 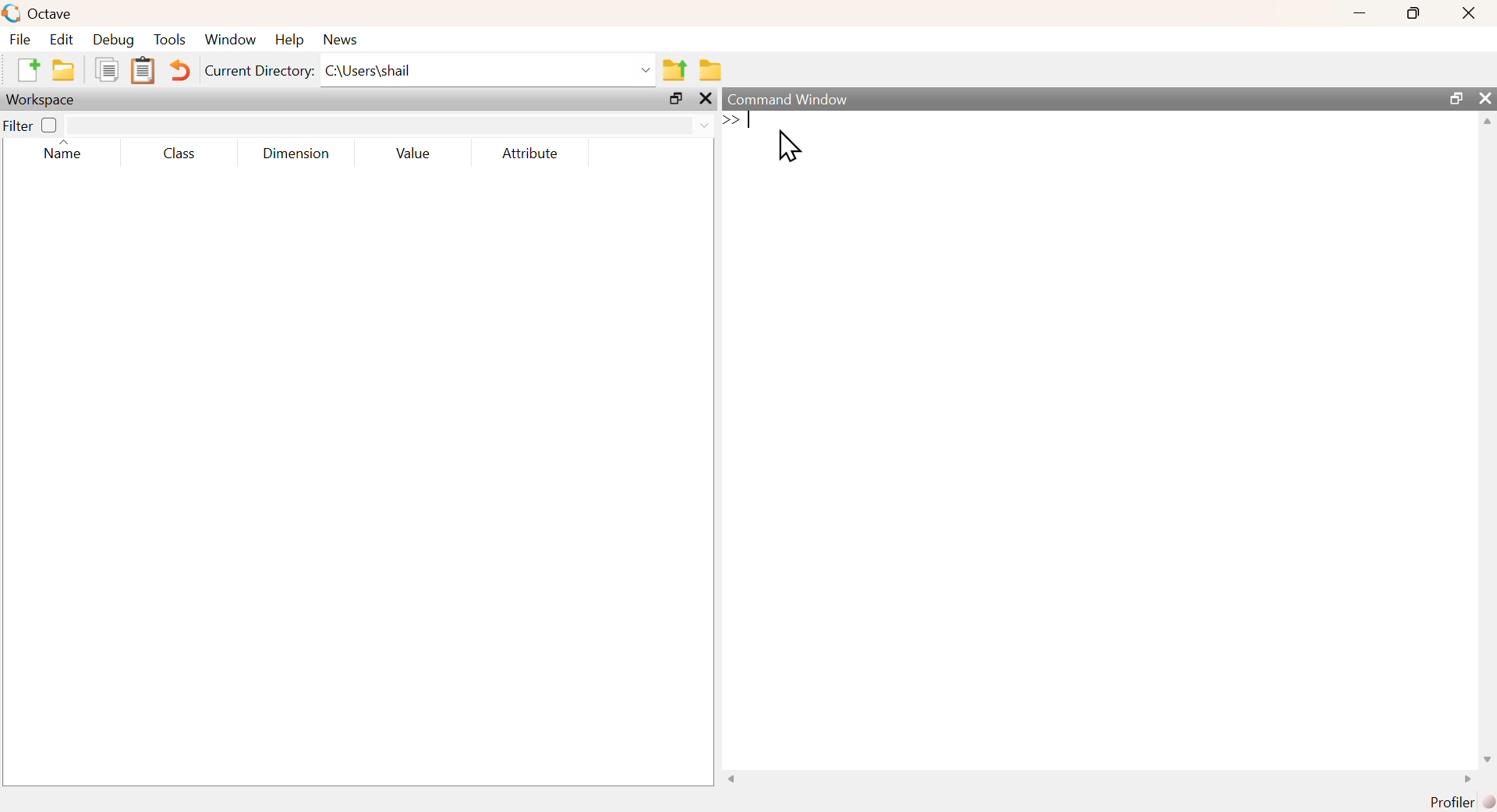 What do you see at coordinates (30, 125) in the screenshot?
I see `Filter` at bounding box center [30, 125].